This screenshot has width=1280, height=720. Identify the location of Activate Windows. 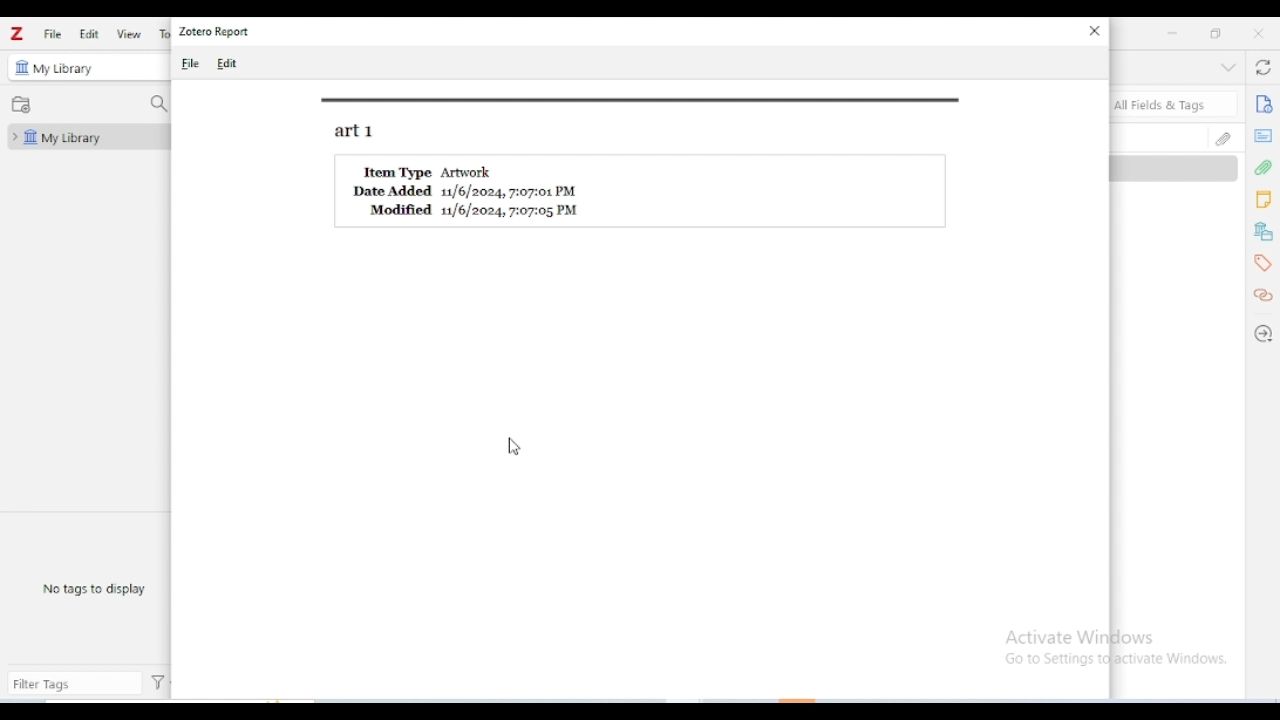
(1080, 637).